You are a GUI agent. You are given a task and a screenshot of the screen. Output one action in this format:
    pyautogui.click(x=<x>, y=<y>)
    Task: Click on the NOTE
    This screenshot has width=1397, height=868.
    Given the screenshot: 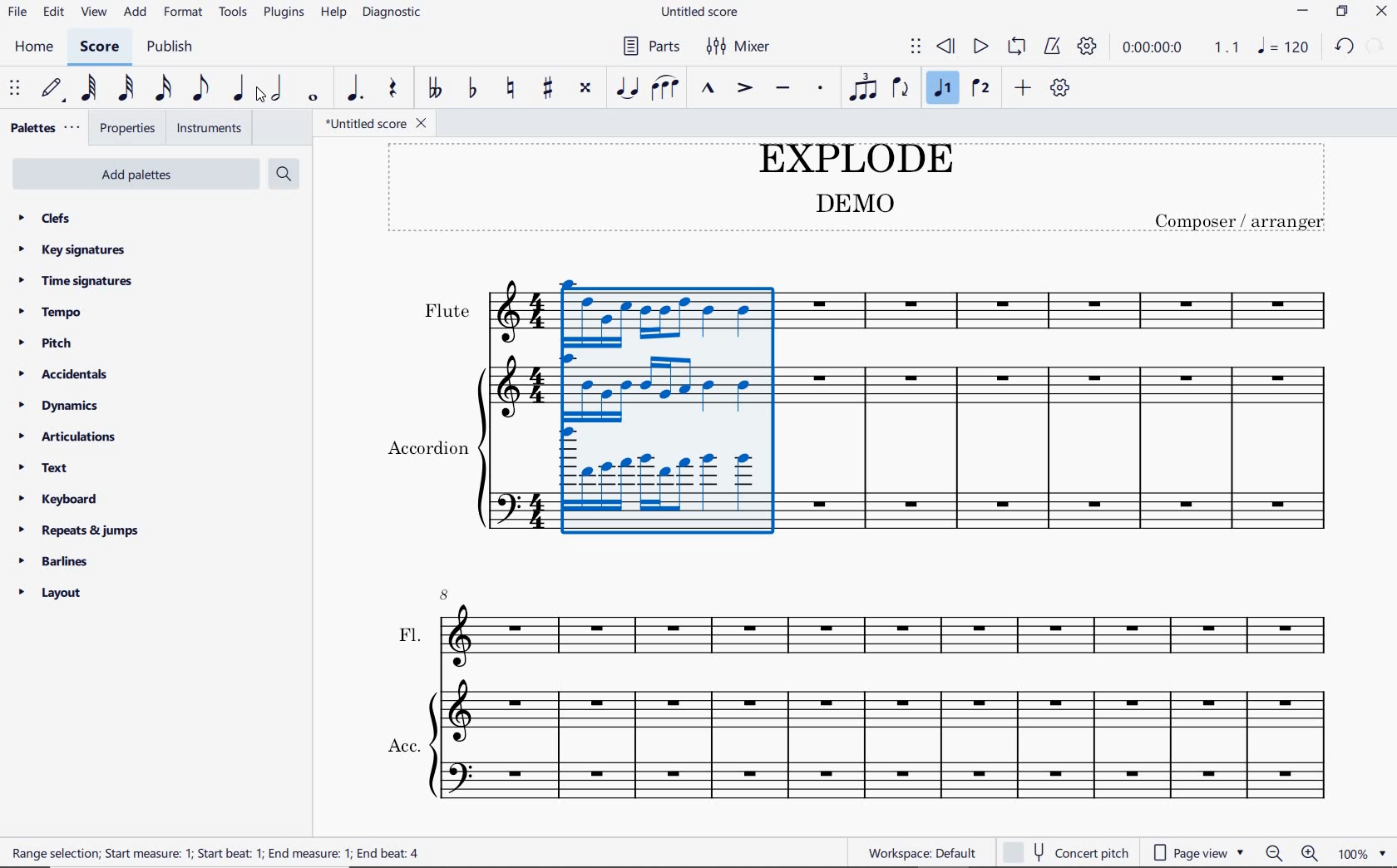 What is the action you would take?
    pyautogui.click(x=1283, y=47)
    